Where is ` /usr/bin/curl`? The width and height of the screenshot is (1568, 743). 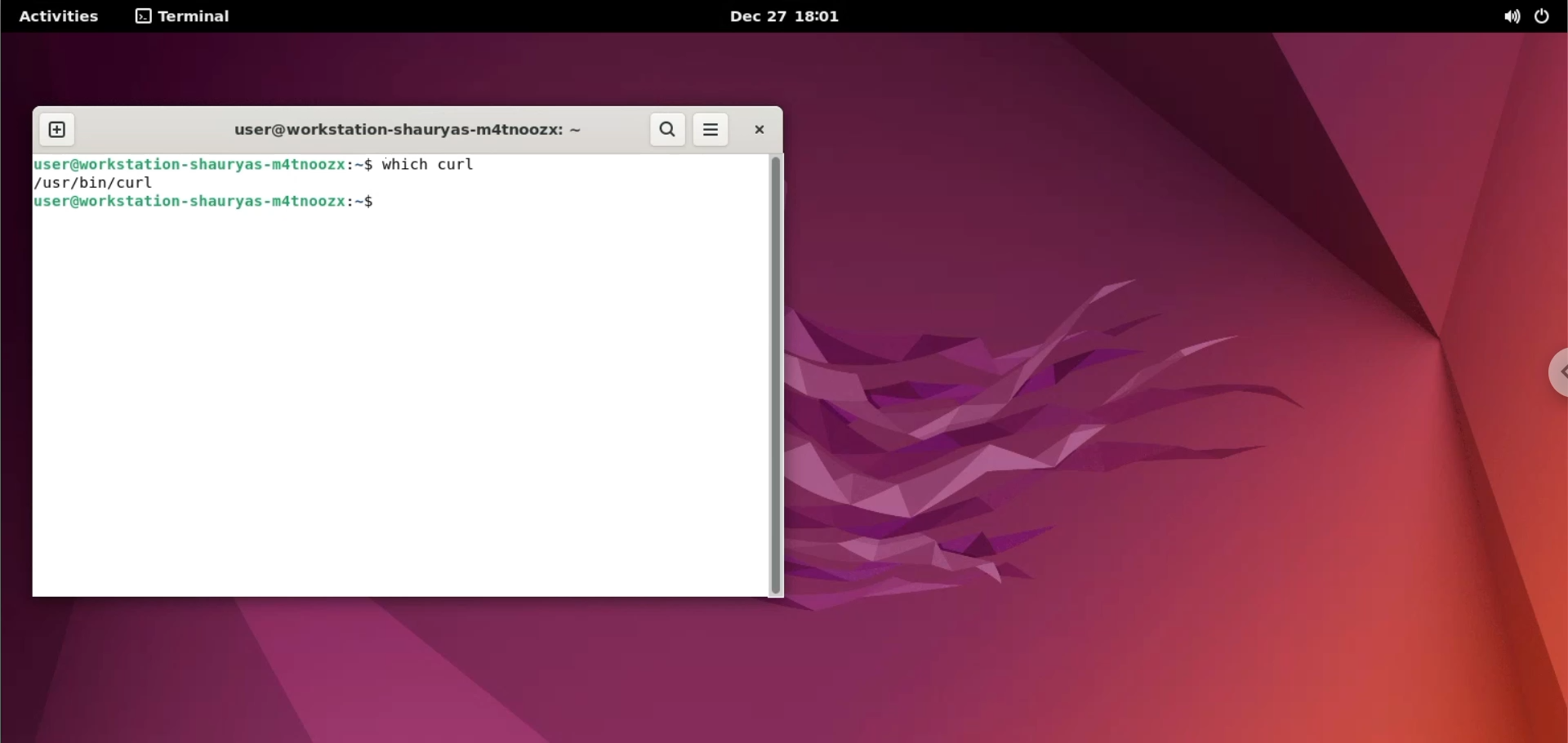  /usr/bin/curl is located at coordinates (111, 185).